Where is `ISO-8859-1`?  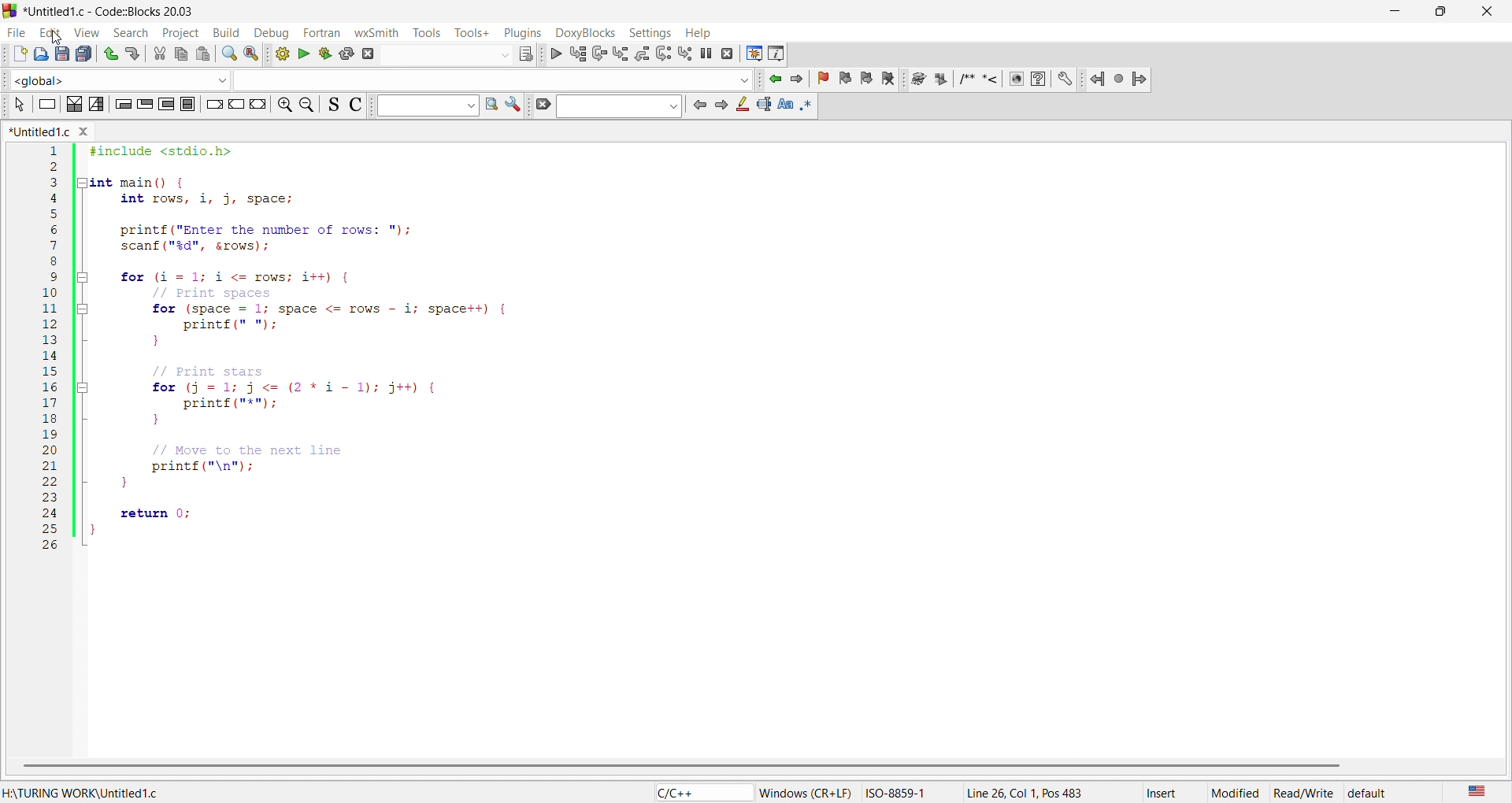
ISO-8859-1 is located at coordinates (906, 791).